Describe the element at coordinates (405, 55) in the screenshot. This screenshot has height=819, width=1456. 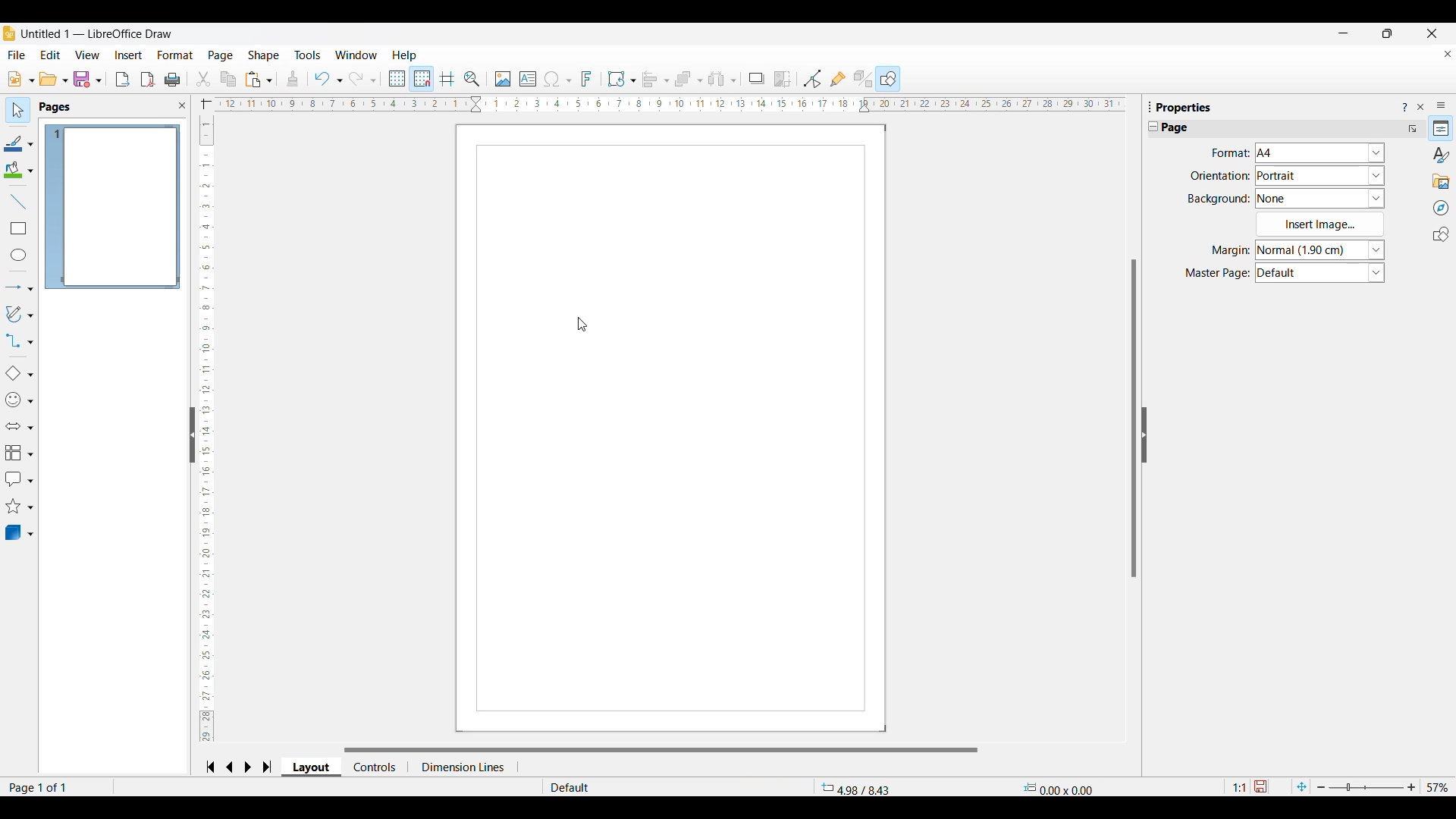
I see `Help menu` at that location.